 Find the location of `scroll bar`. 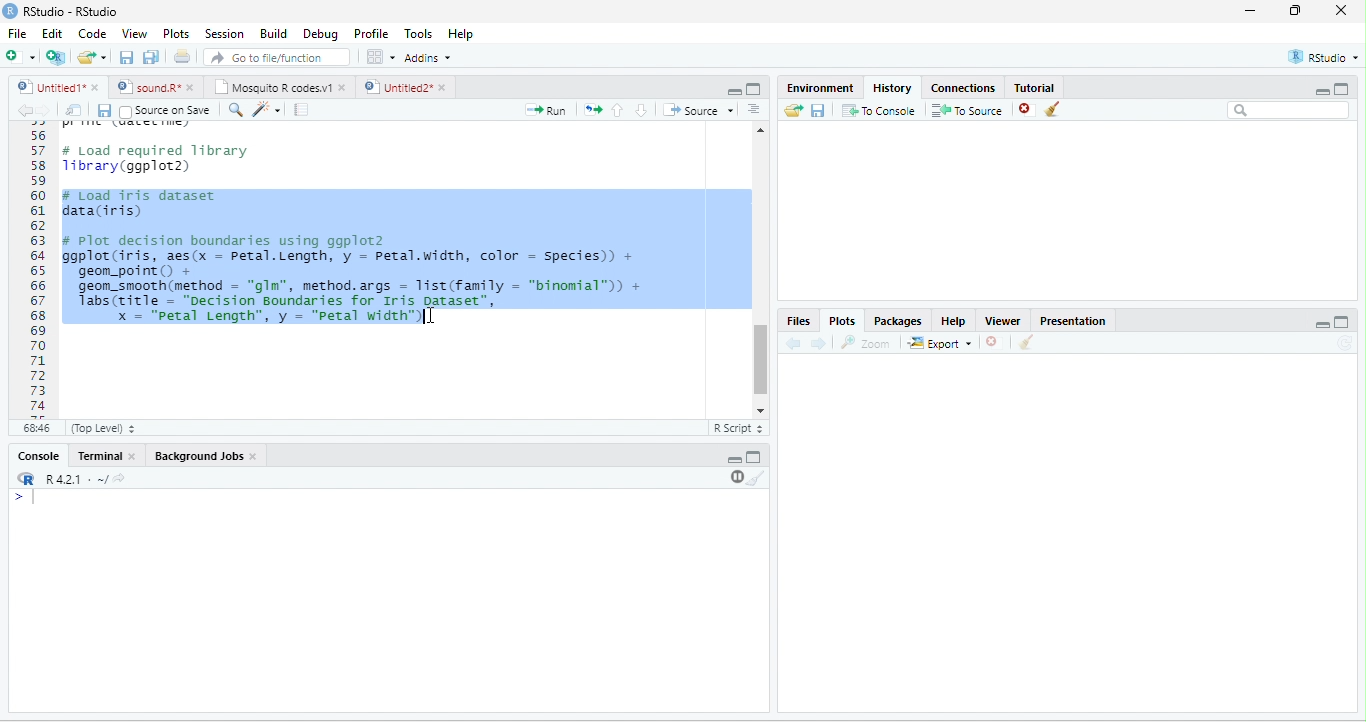

scroll bar is located at coordinates (761, 360).